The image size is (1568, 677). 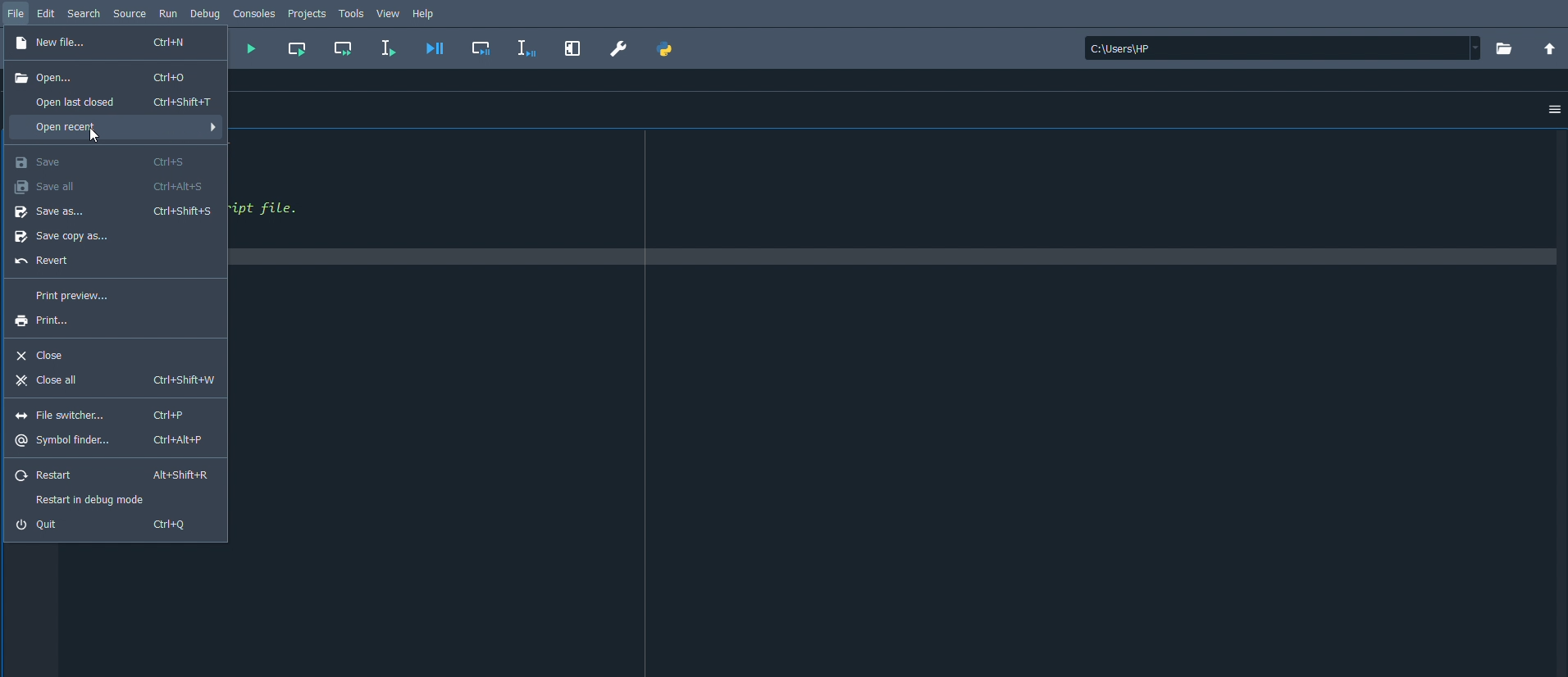 What do you see at coordinates (96, 499) in the screenshot?
I see `Restart in debug mode` at bounding box center [96, 499].